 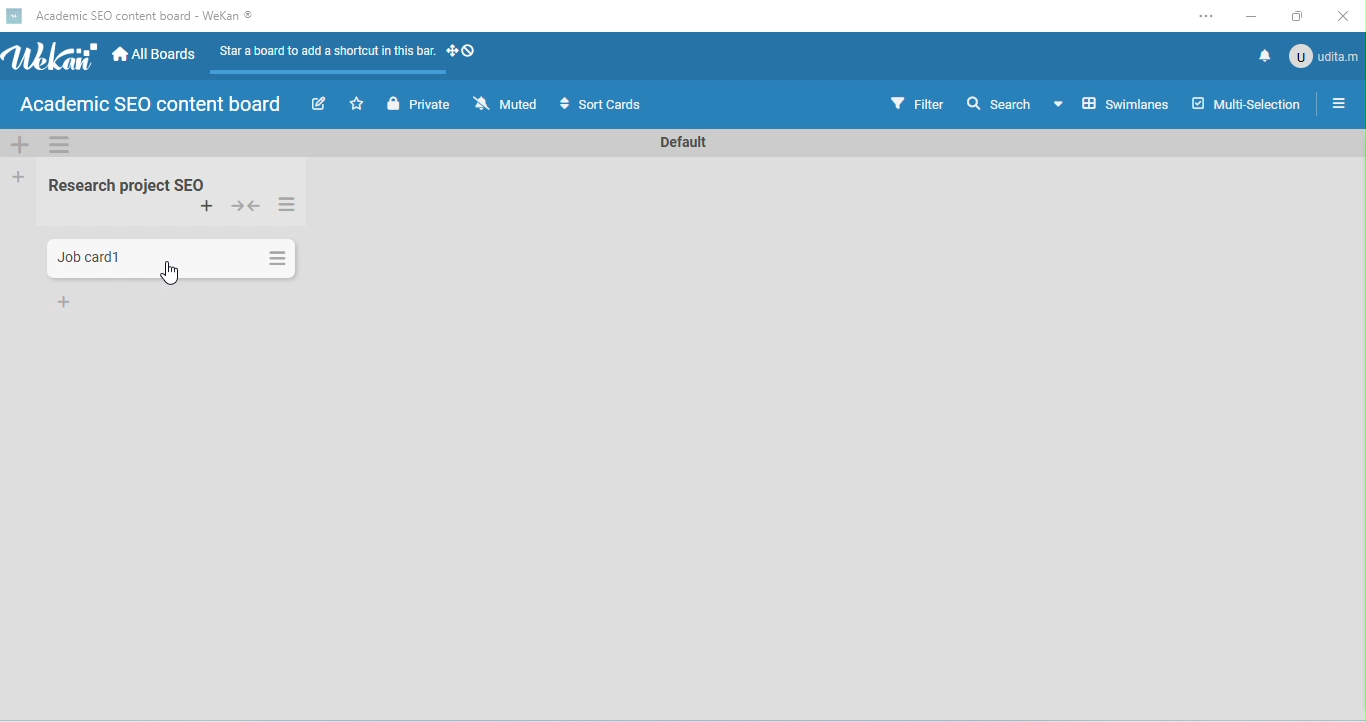 What do you see at coordinates (916, 104) in the screenshot?
I see `filter` at bounding box center [916, 104].